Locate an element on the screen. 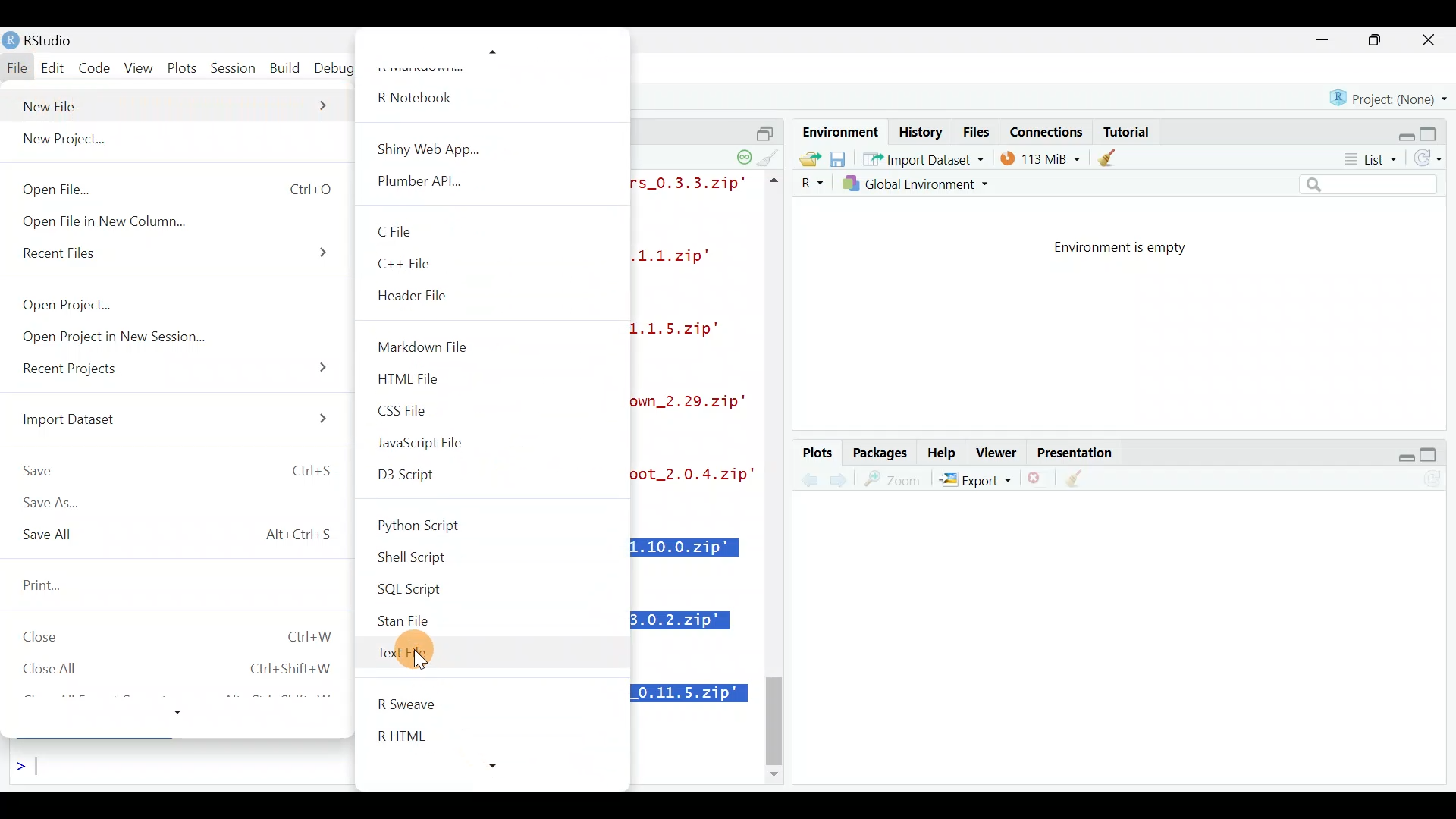 This screenshot has width=1456, height=819. Markdown File is located at coordinates (434, 346).